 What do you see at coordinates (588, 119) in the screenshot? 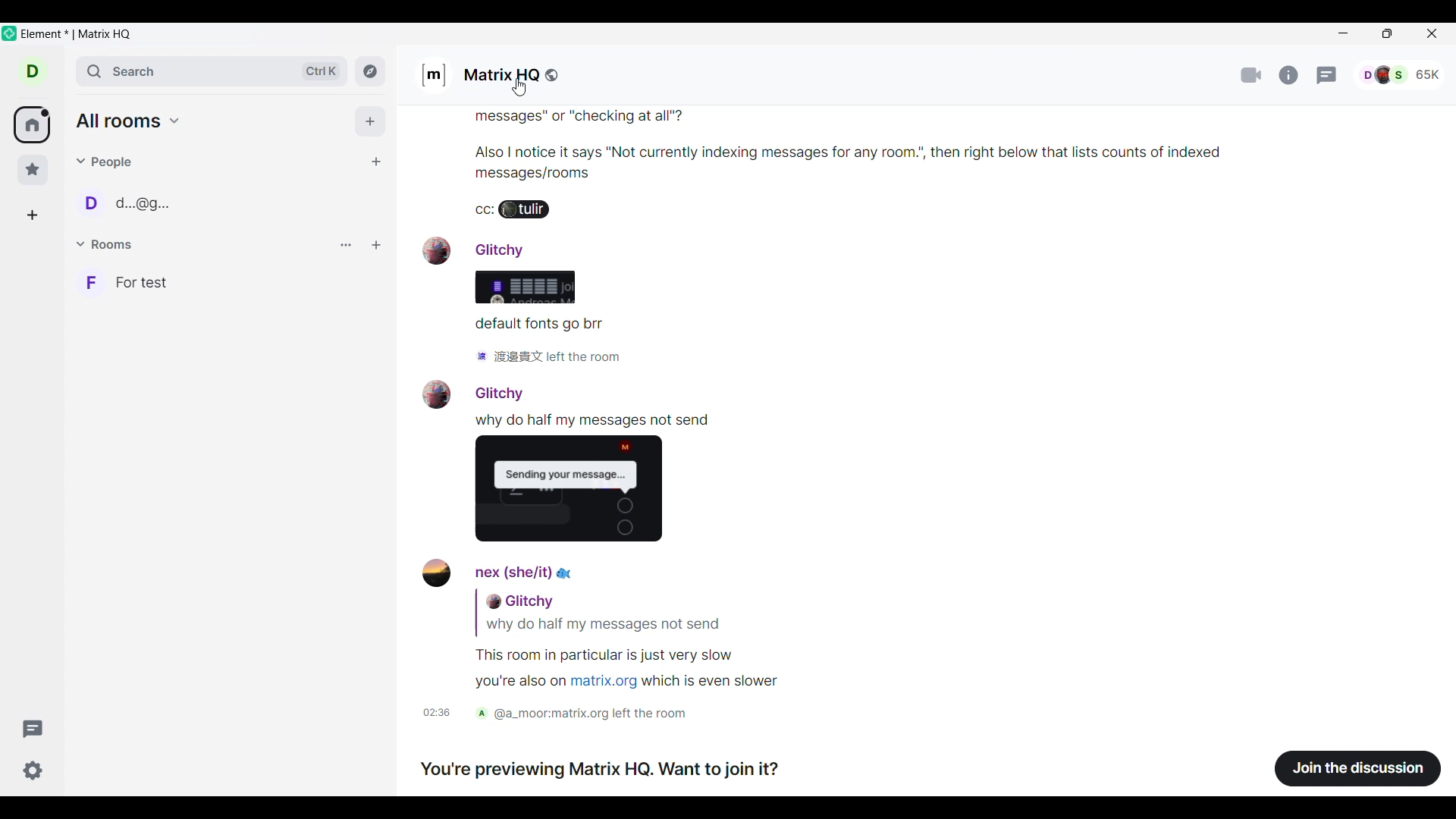
I see `messages or checking at all?` at bounding box center [588, 119].